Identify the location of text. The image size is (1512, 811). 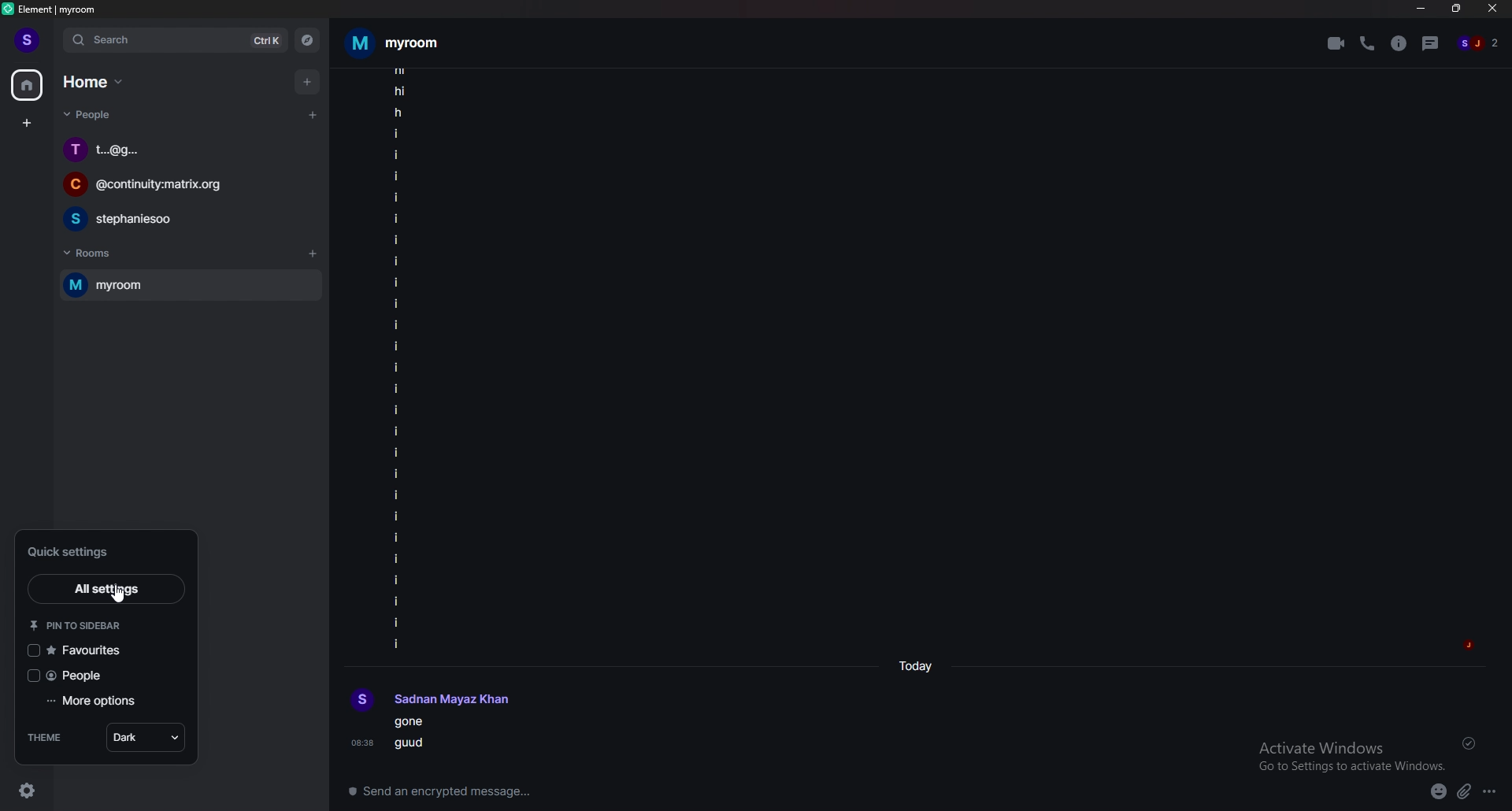
(441, 698).